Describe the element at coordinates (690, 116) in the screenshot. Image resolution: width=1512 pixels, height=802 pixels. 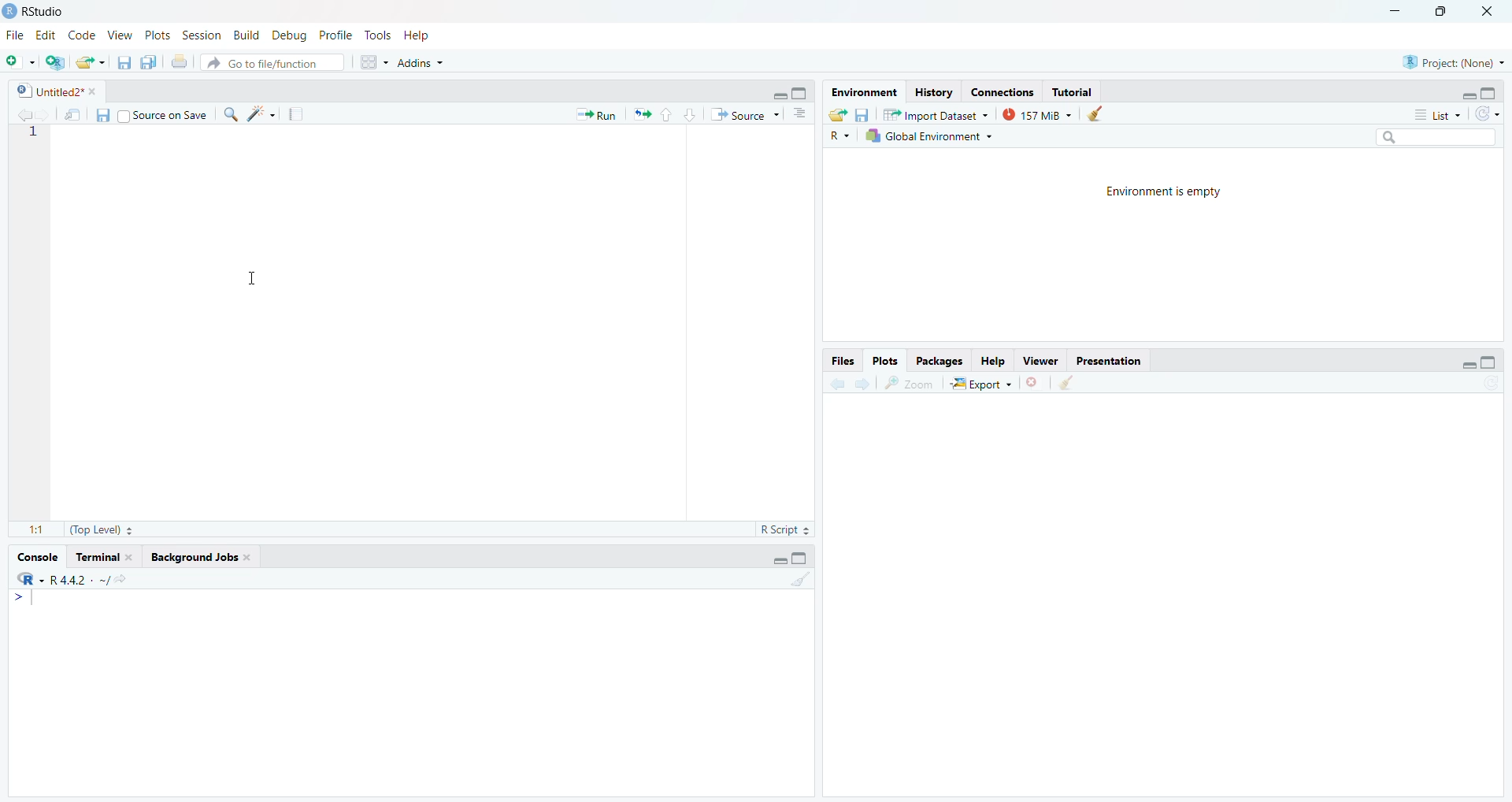
I see `go to next section/chunk` at that location.